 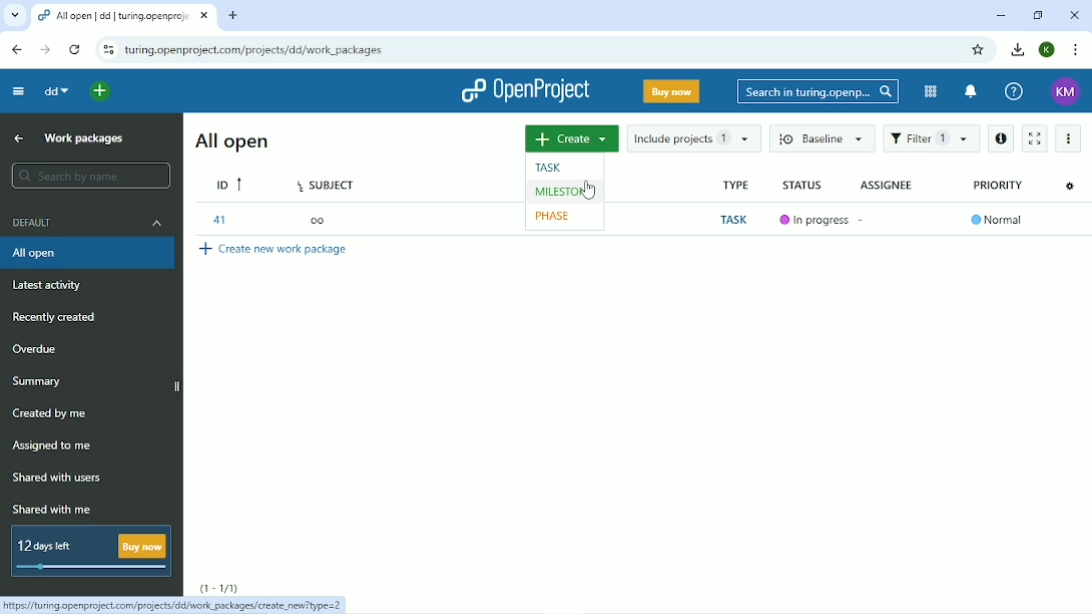 What do you see at coordinates (693, 138) in the screenshot?
I see `Include projects 1` at bounding box center [693, 138].